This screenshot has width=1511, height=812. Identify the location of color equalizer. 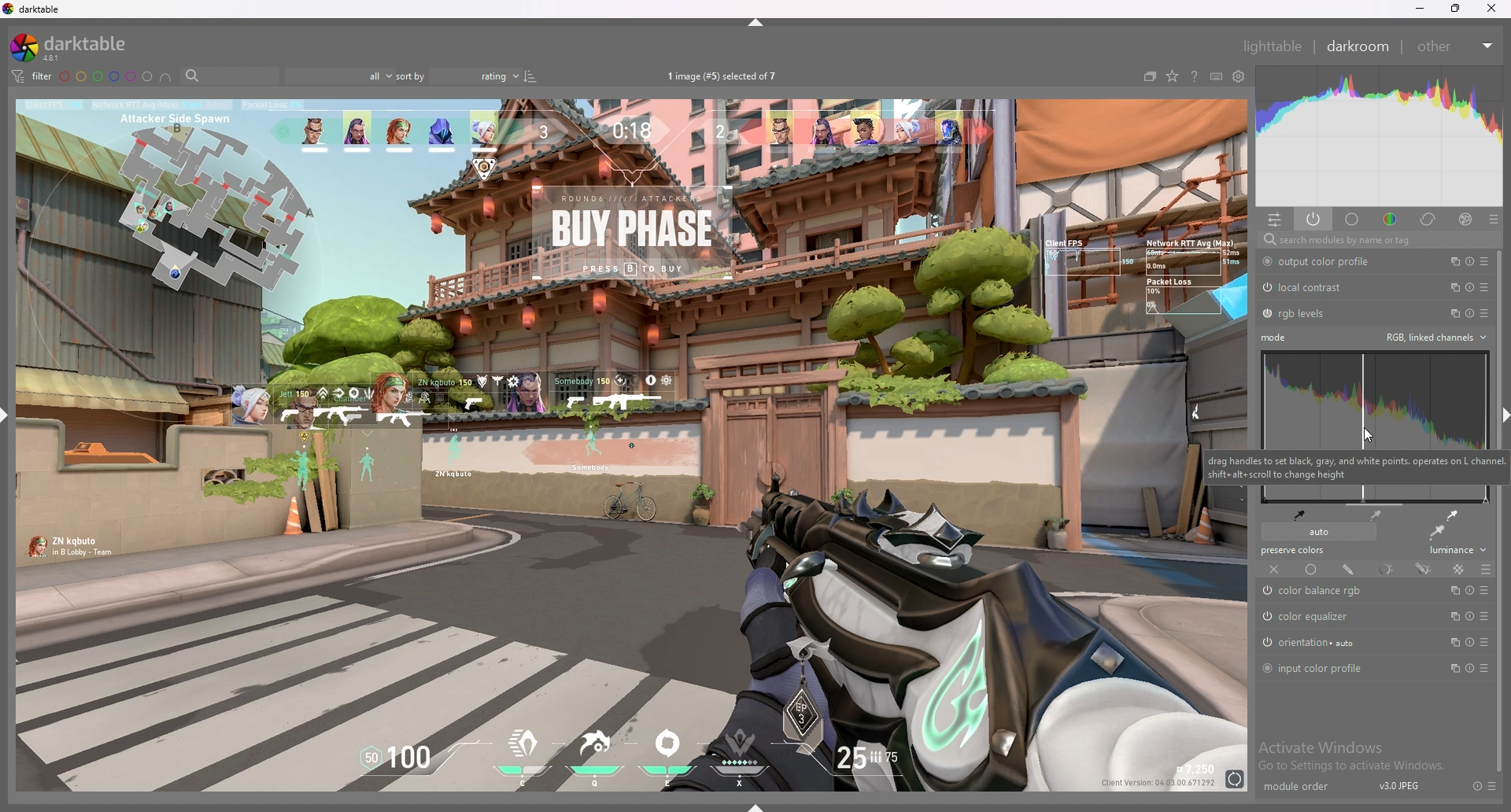
(1315, 618).